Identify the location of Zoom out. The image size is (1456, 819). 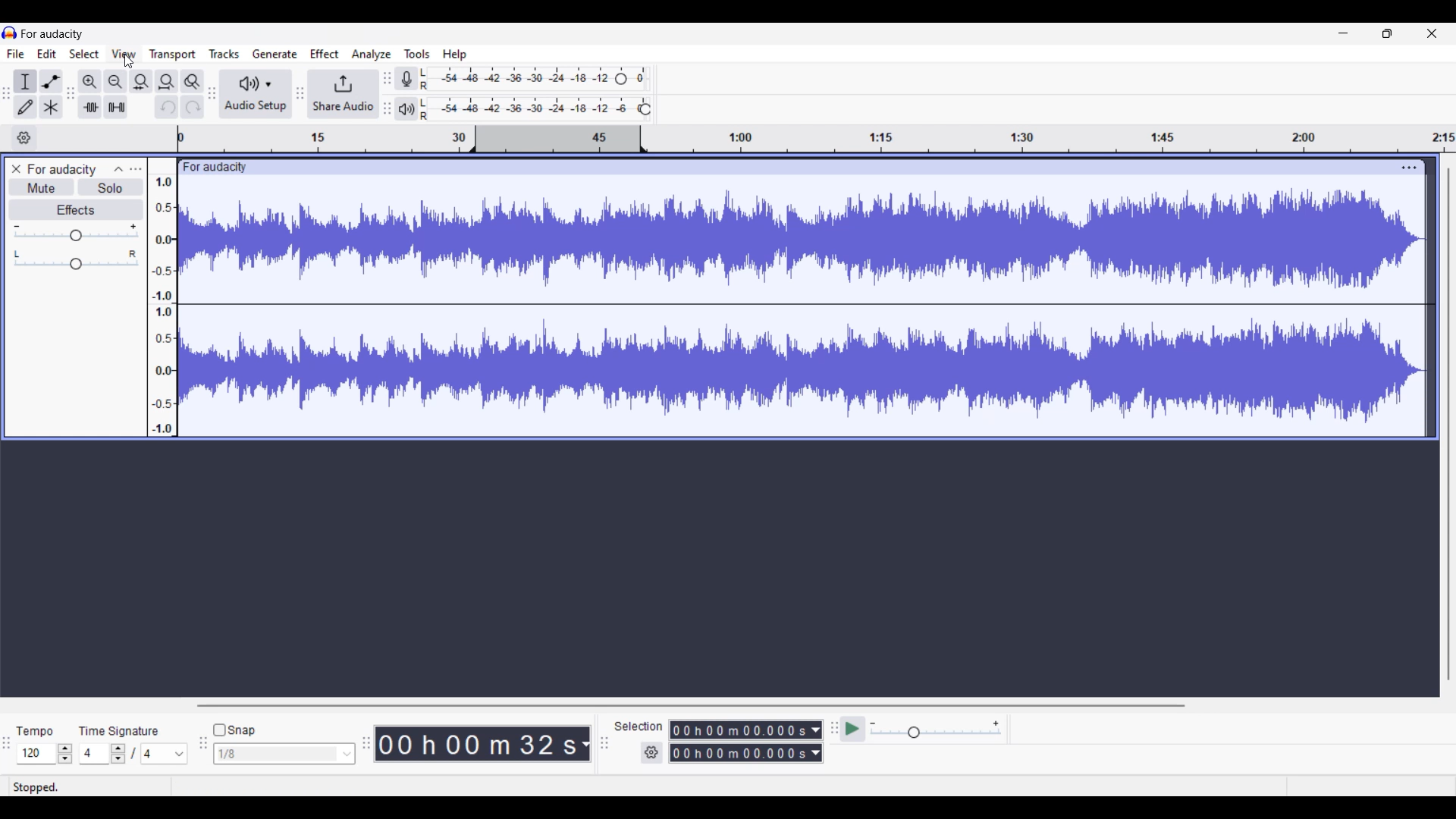
(116, 82).